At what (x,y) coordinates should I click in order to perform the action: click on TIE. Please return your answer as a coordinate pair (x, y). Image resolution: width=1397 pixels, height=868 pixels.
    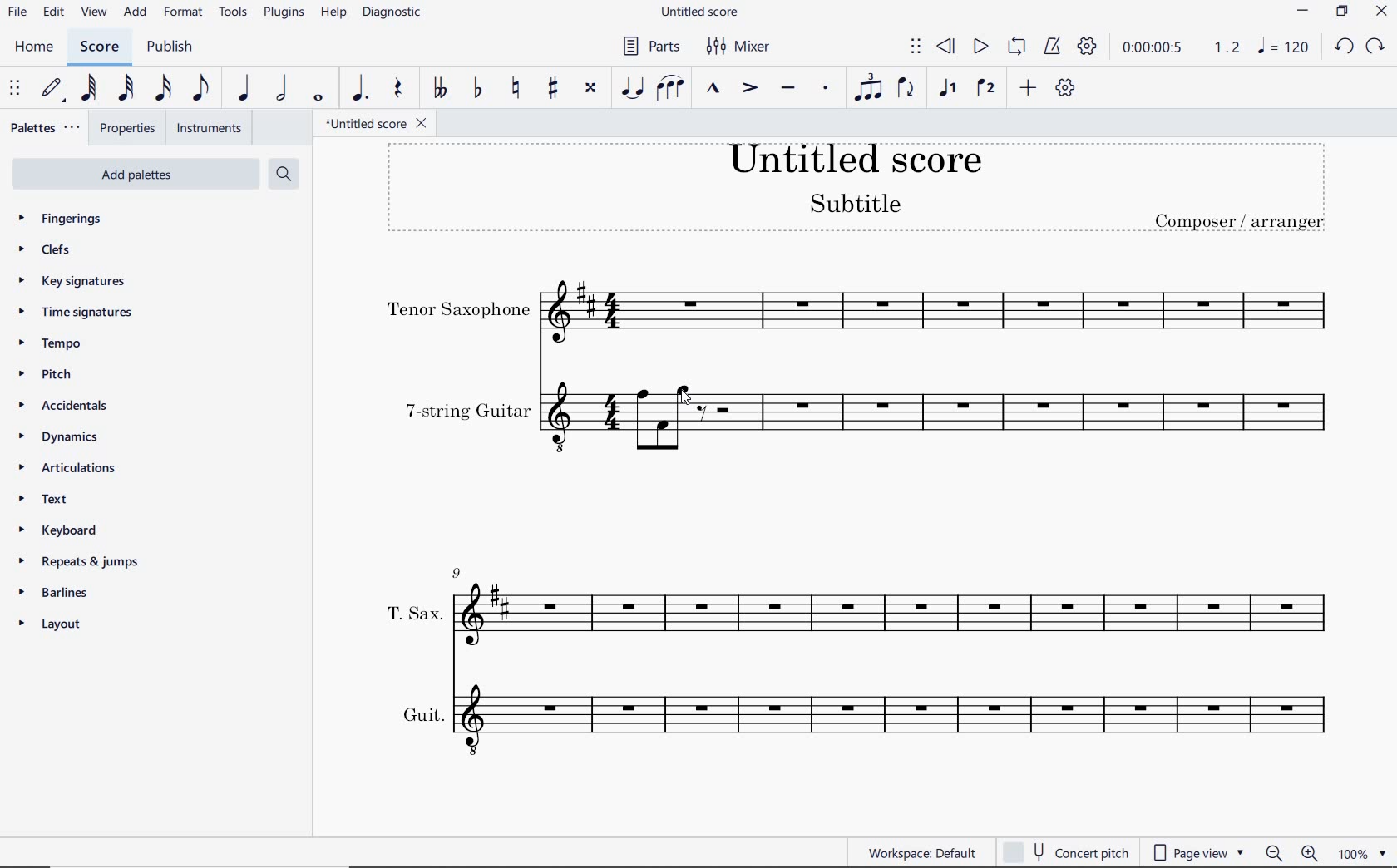
    Looking at the image, I should click on (631, 87).